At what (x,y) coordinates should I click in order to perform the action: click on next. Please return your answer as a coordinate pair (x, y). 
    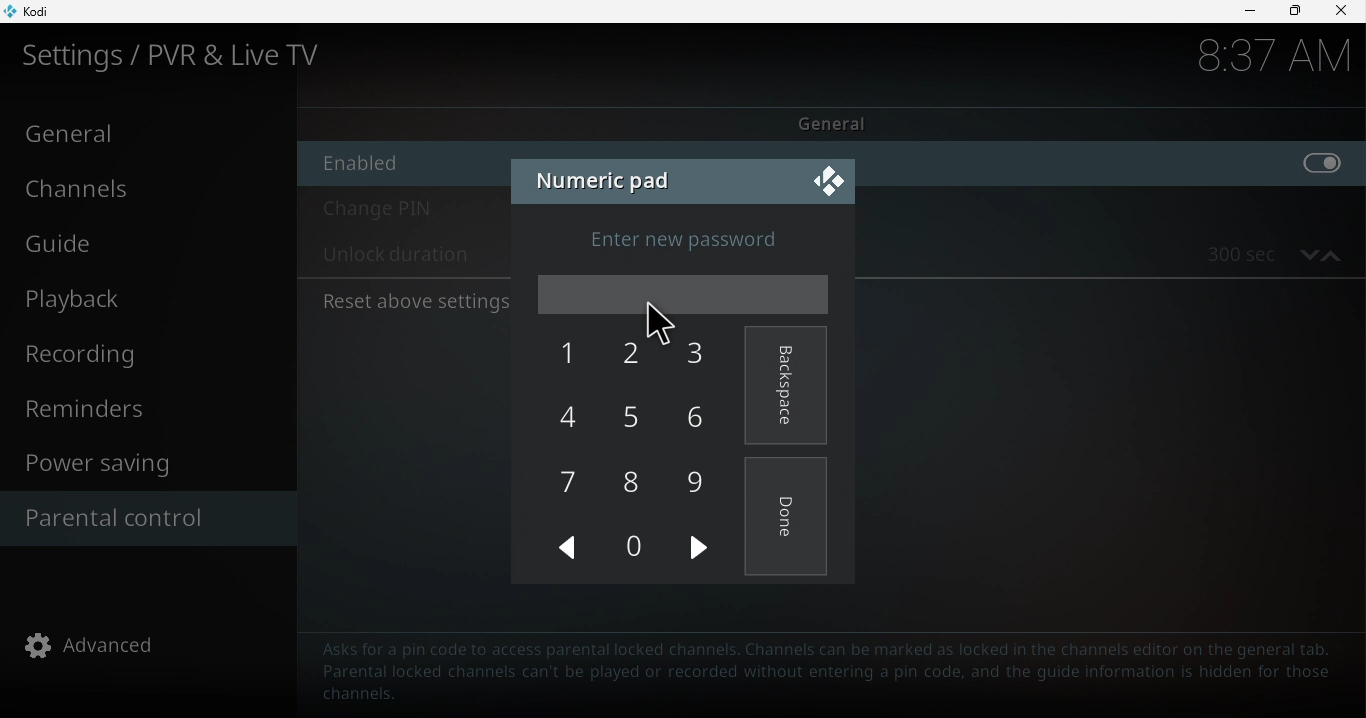
    Looking at the image, I should click on (701, 545).